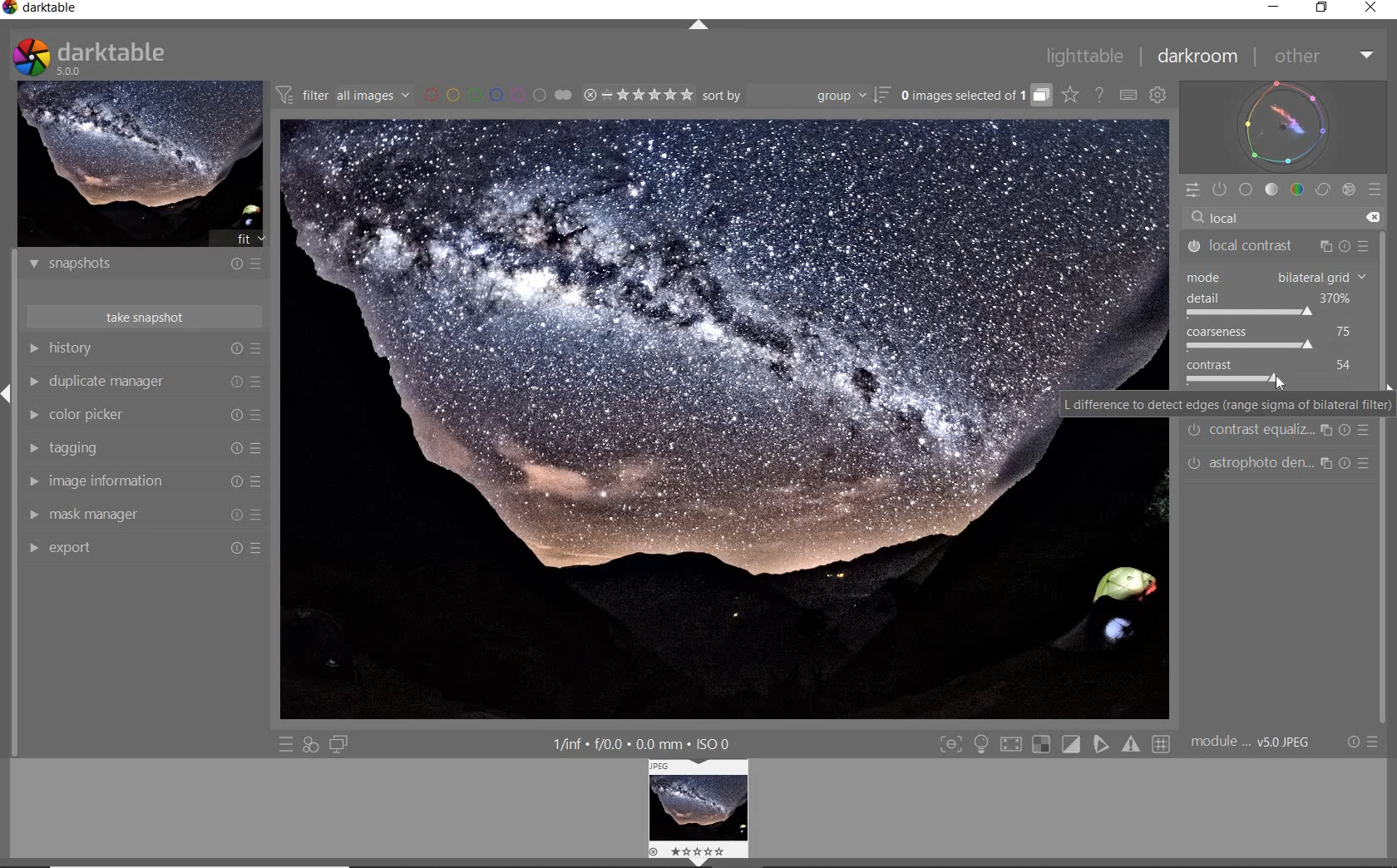 This screenshot has width=1397, height=868. I want to click on Settings, so click(1352, 742).